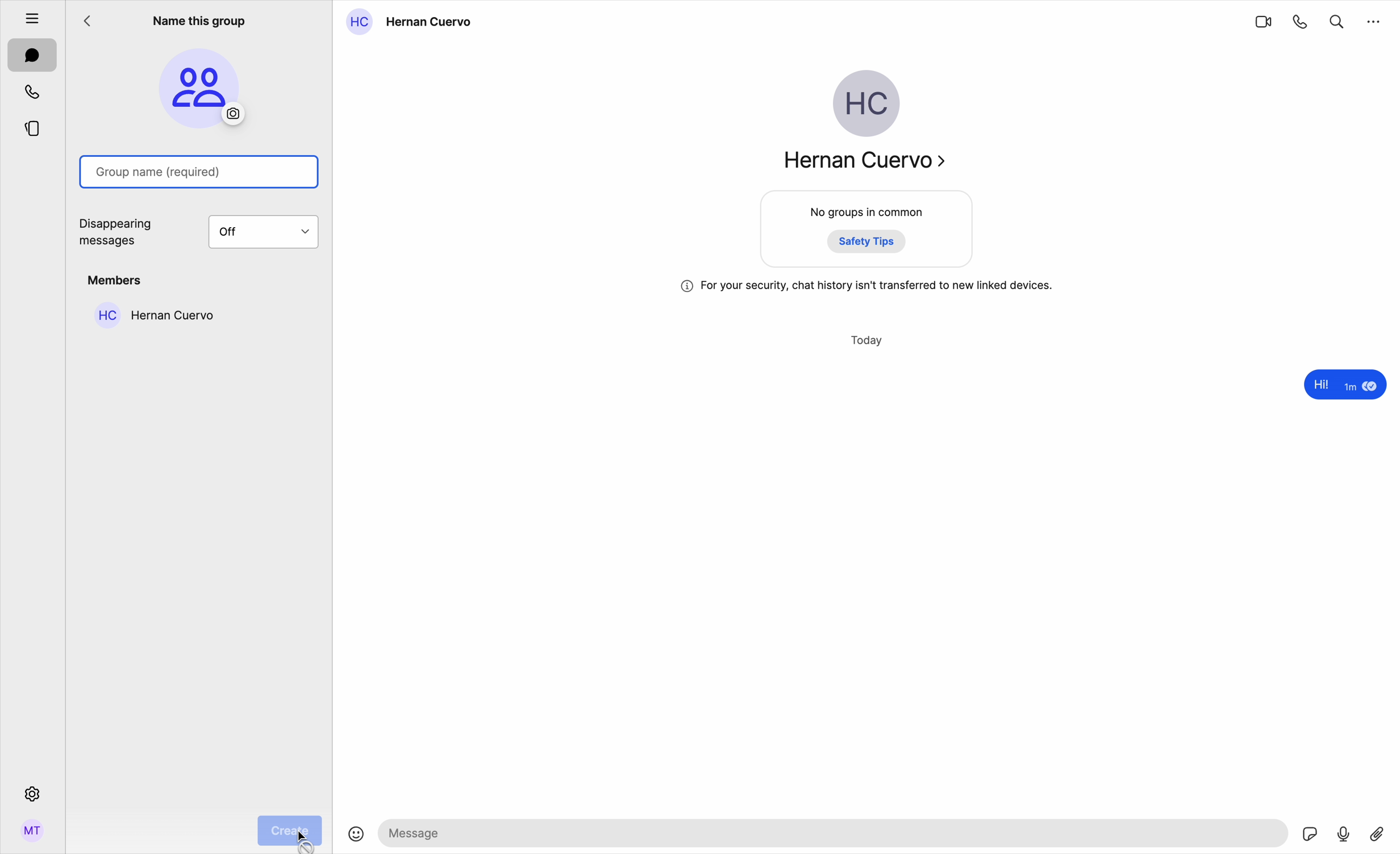 The height and width of the screenshot is (854, 1400). I want to click on emoji, so click(356, 835).